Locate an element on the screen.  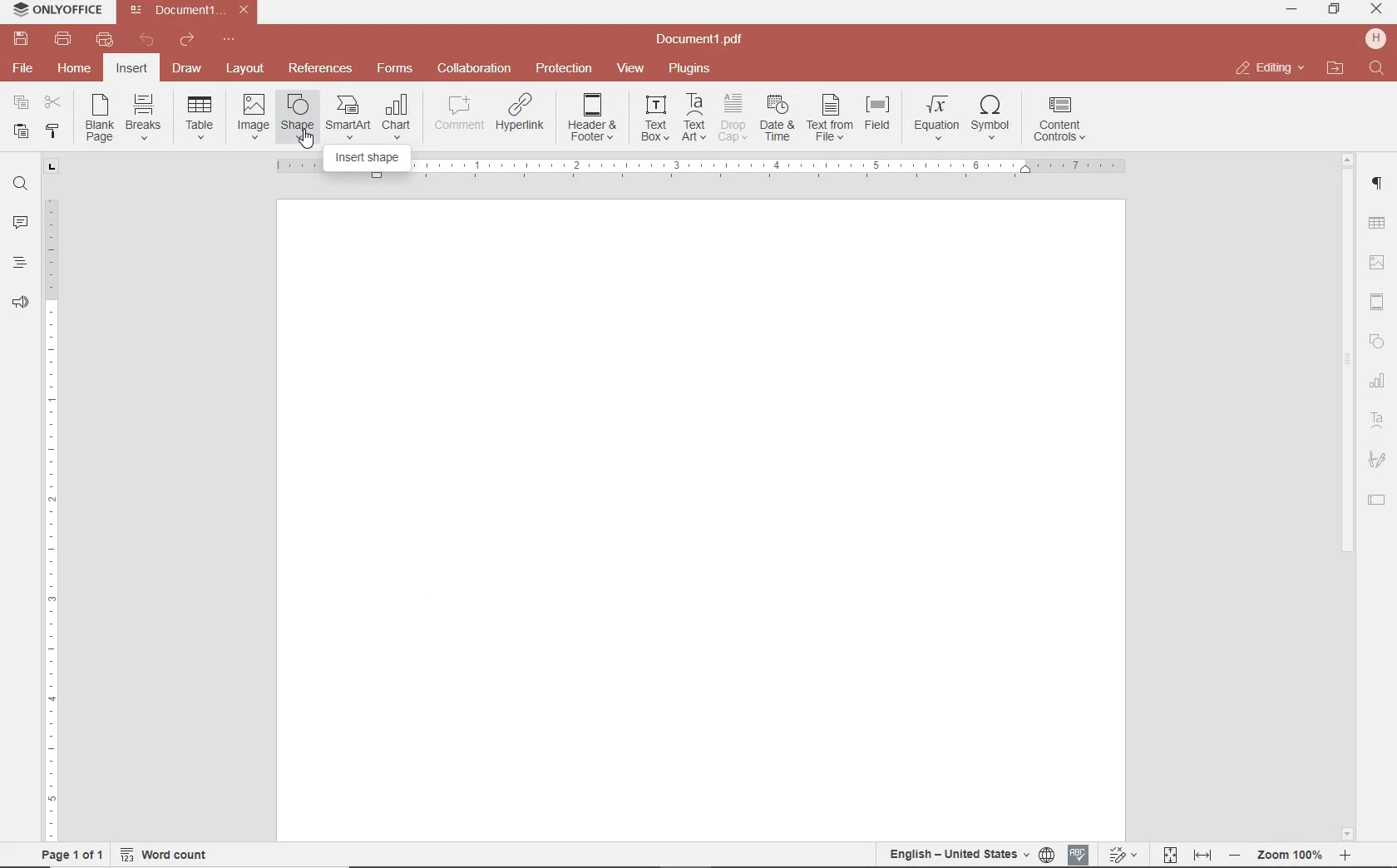
tab stop is located at coordinates (52, 165).